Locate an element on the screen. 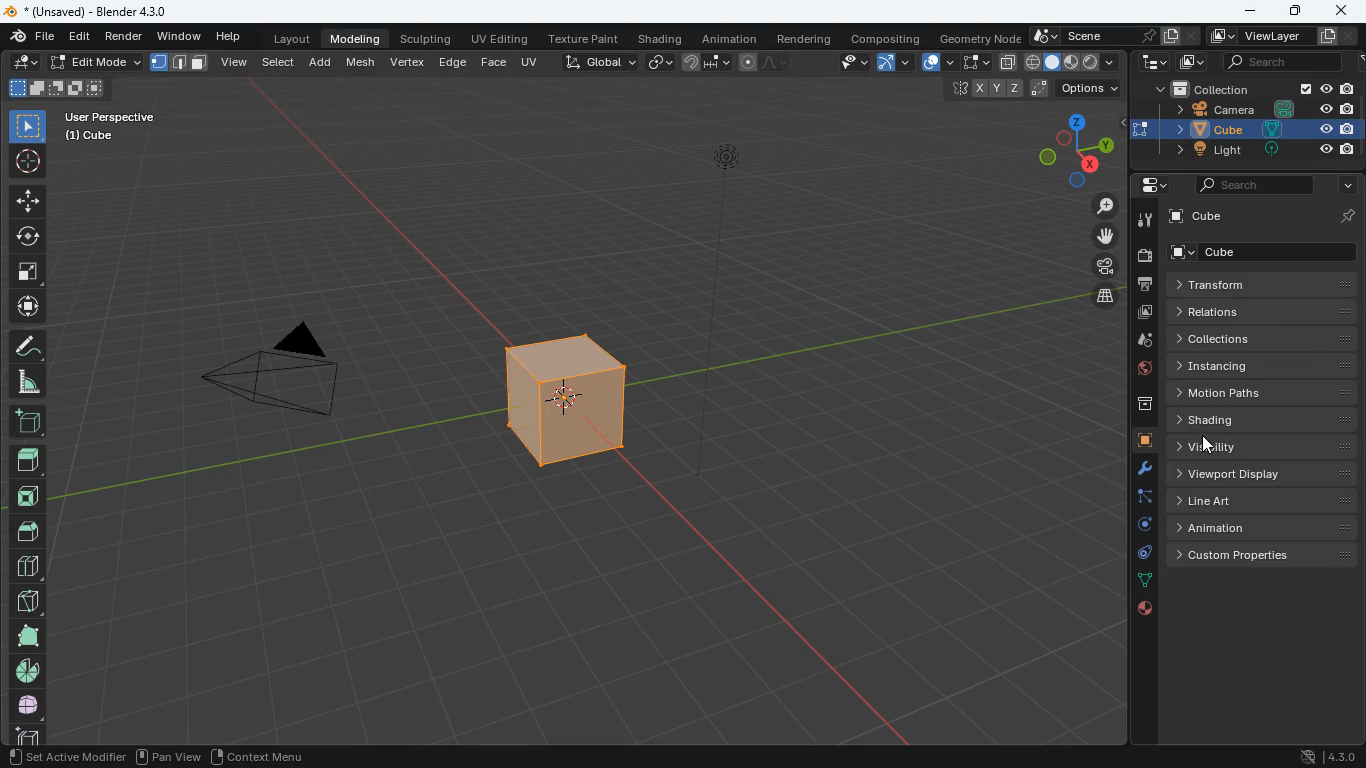 The width and height of the screenshot is (1366, 768). line is located at coordinates (769, 63).